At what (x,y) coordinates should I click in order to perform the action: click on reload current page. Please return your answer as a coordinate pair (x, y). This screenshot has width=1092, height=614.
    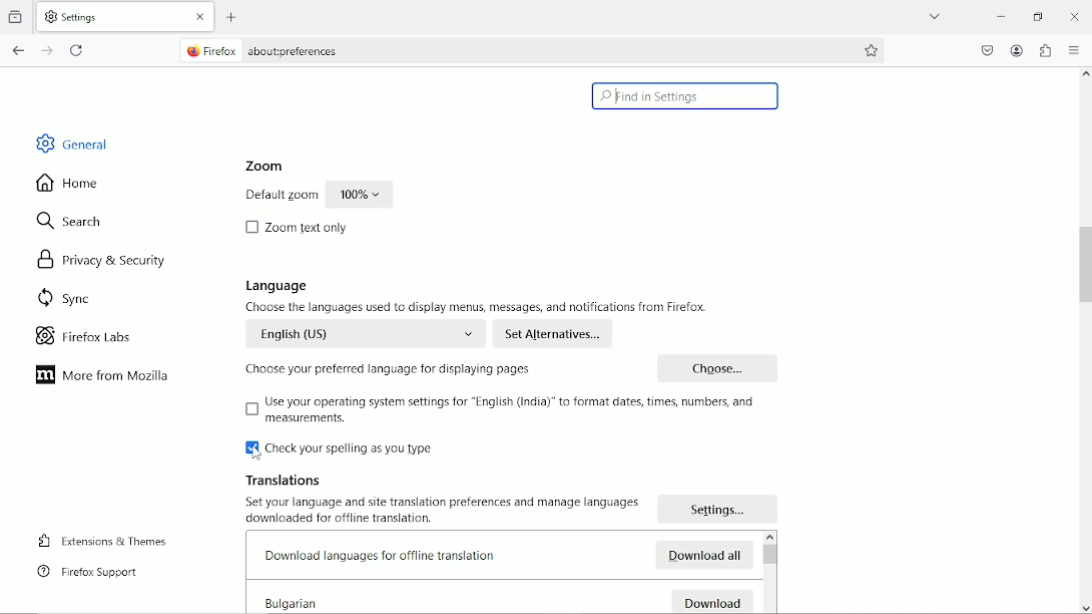
    Looking at the image, I should click on (77, 49).